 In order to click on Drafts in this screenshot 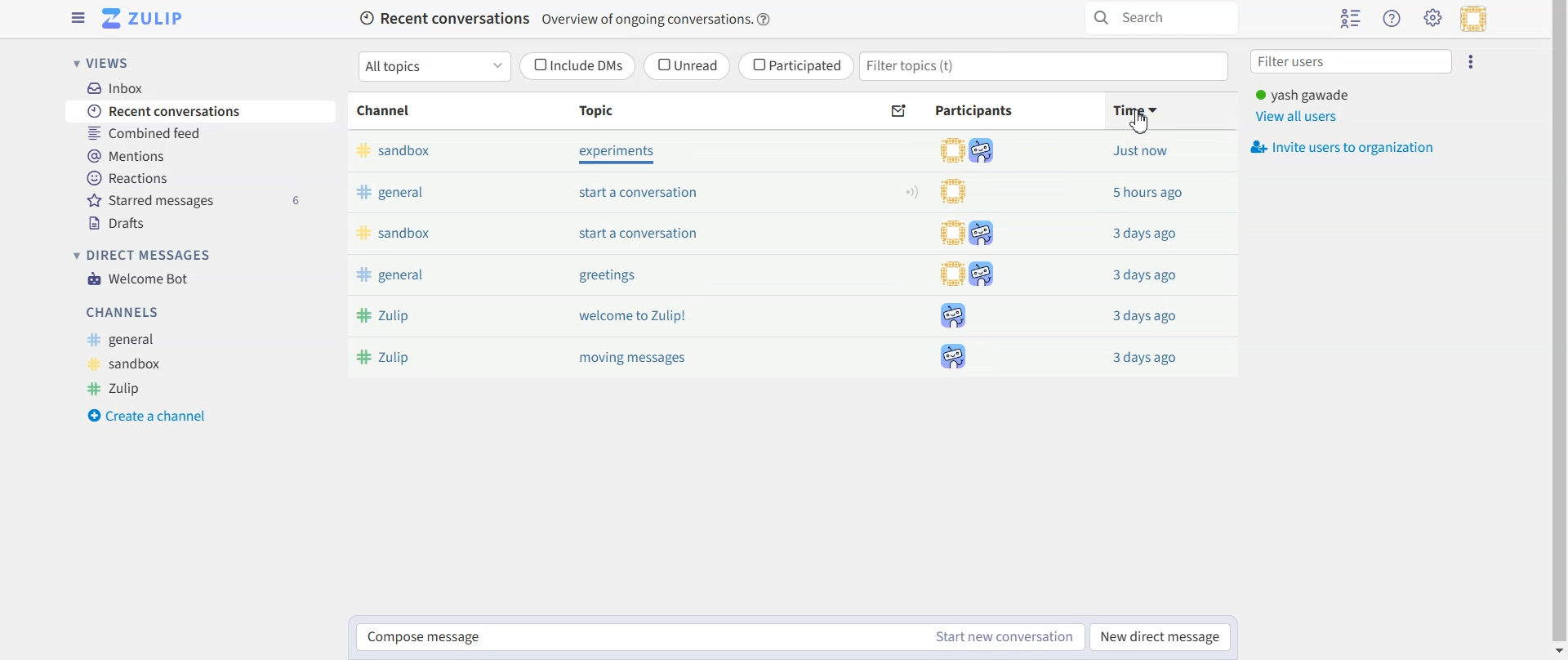, I will do `click(201, 221)`.